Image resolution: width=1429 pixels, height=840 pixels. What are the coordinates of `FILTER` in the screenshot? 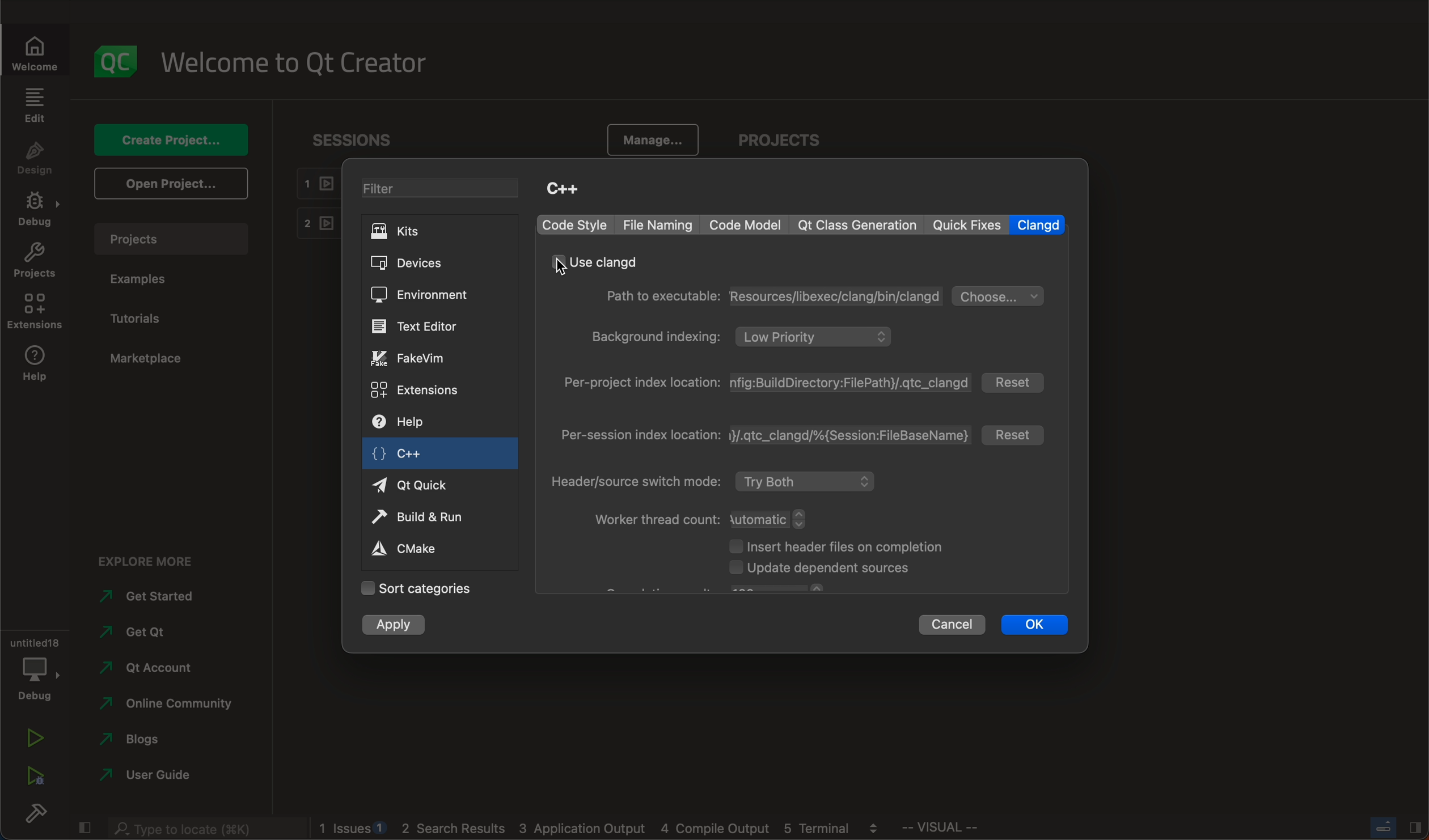 It's located at (438, 190).